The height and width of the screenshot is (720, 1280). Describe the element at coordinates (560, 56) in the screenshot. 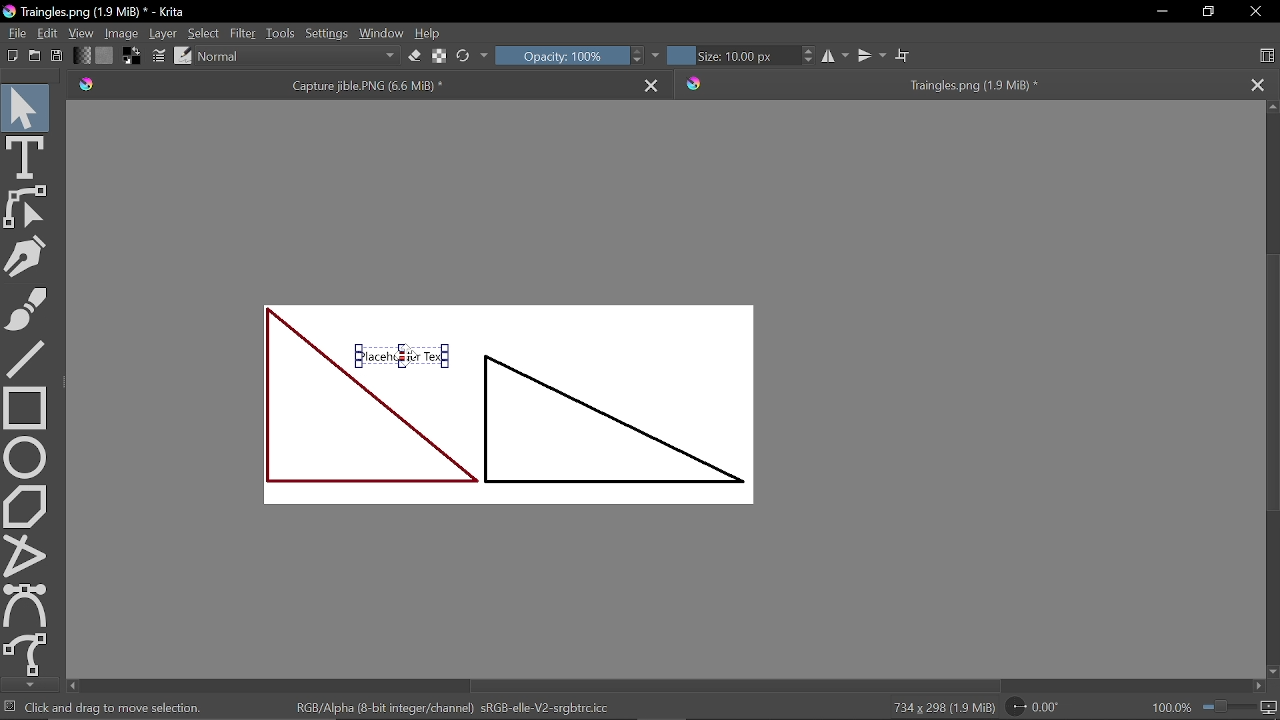

I see `Opacity: 100%` at that location.